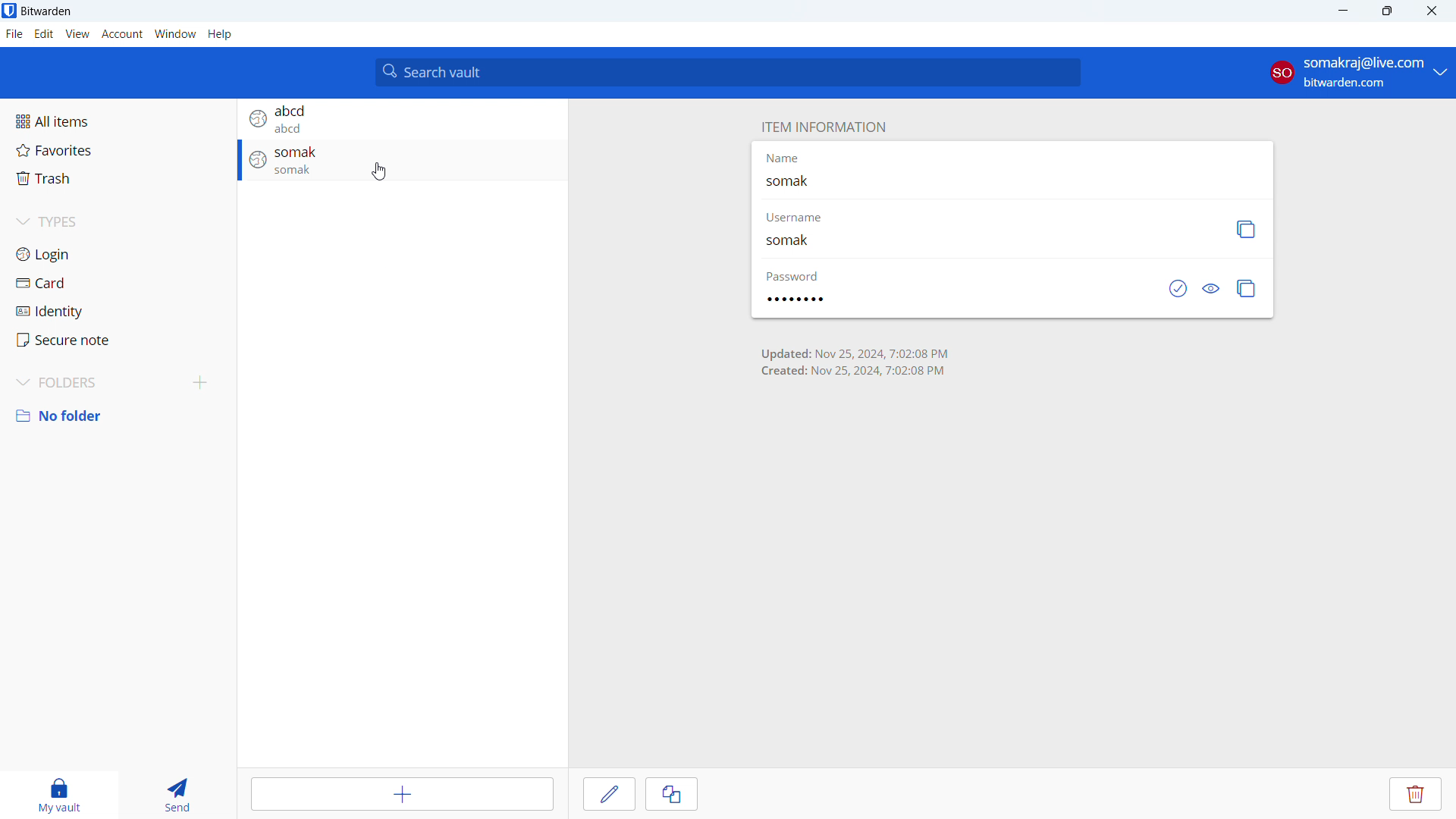  Describe the element at coordinates (118, 149) in the screenshot. I see `favorites` at that location.